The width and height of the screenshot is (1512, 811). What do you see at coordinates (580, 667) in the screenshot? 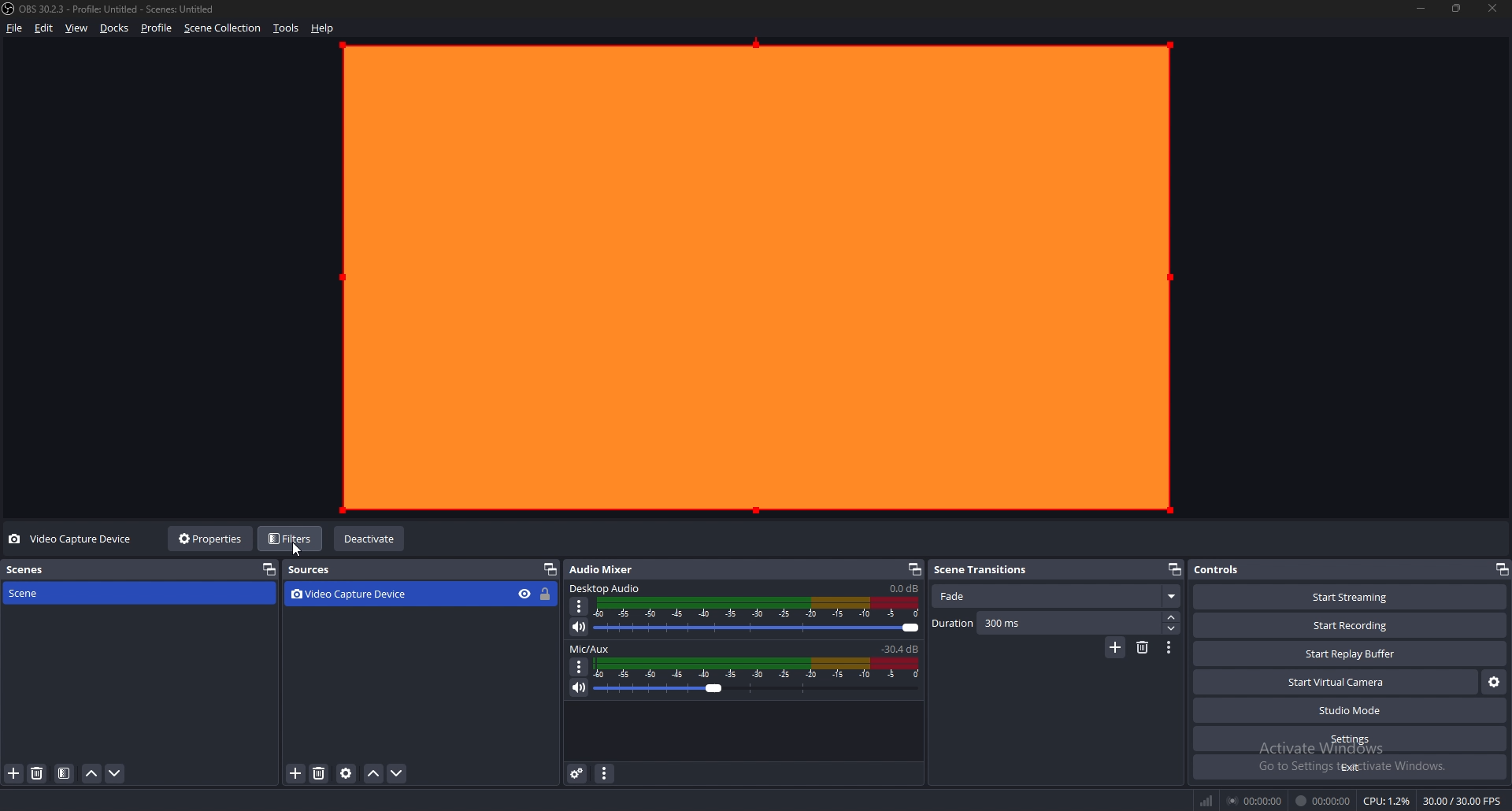
I see `options` at bounding box center [580, 667].